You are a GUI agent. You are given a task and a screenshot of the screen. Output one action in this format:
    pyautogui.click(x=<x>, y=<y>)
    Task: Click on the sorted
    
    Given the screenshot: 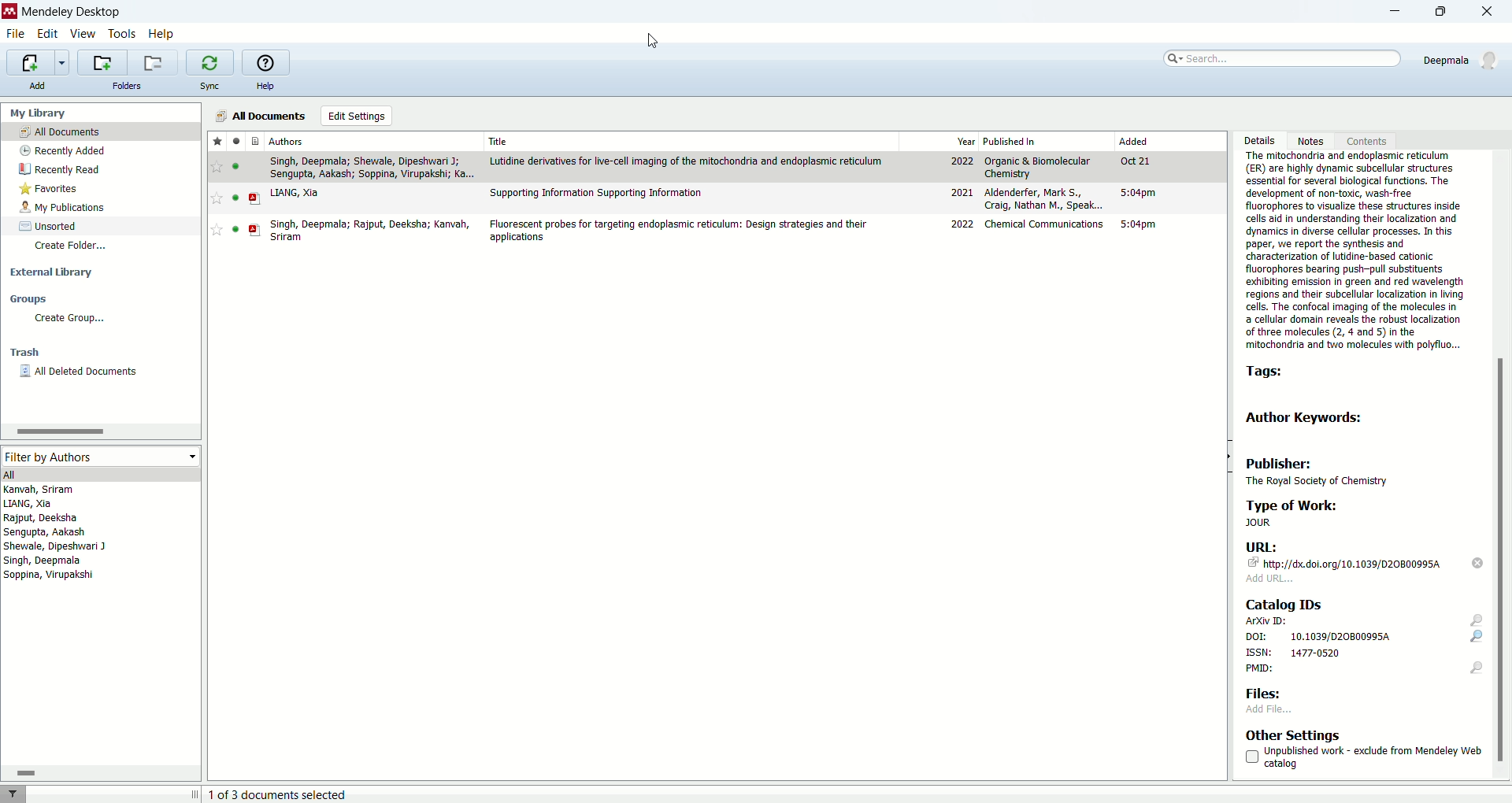 What is the action you would take?
    pyautogui.click(x=49, y=226)
    